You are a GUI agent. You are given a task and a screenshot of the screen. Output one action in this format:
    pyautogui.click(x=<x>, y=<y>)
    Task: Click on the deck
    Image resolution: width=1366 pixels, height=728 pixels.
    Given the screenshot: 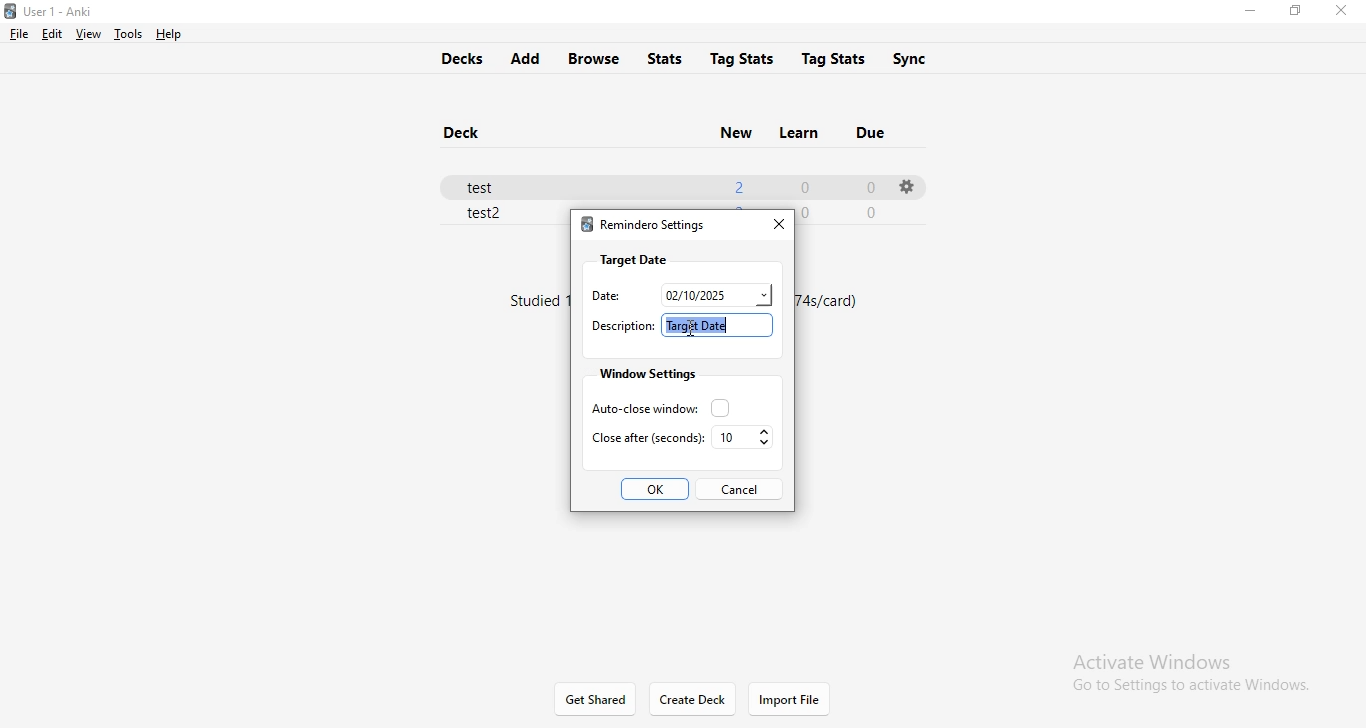 What is the action you would take?
    pyautogui.click(x=467, y=134)
    